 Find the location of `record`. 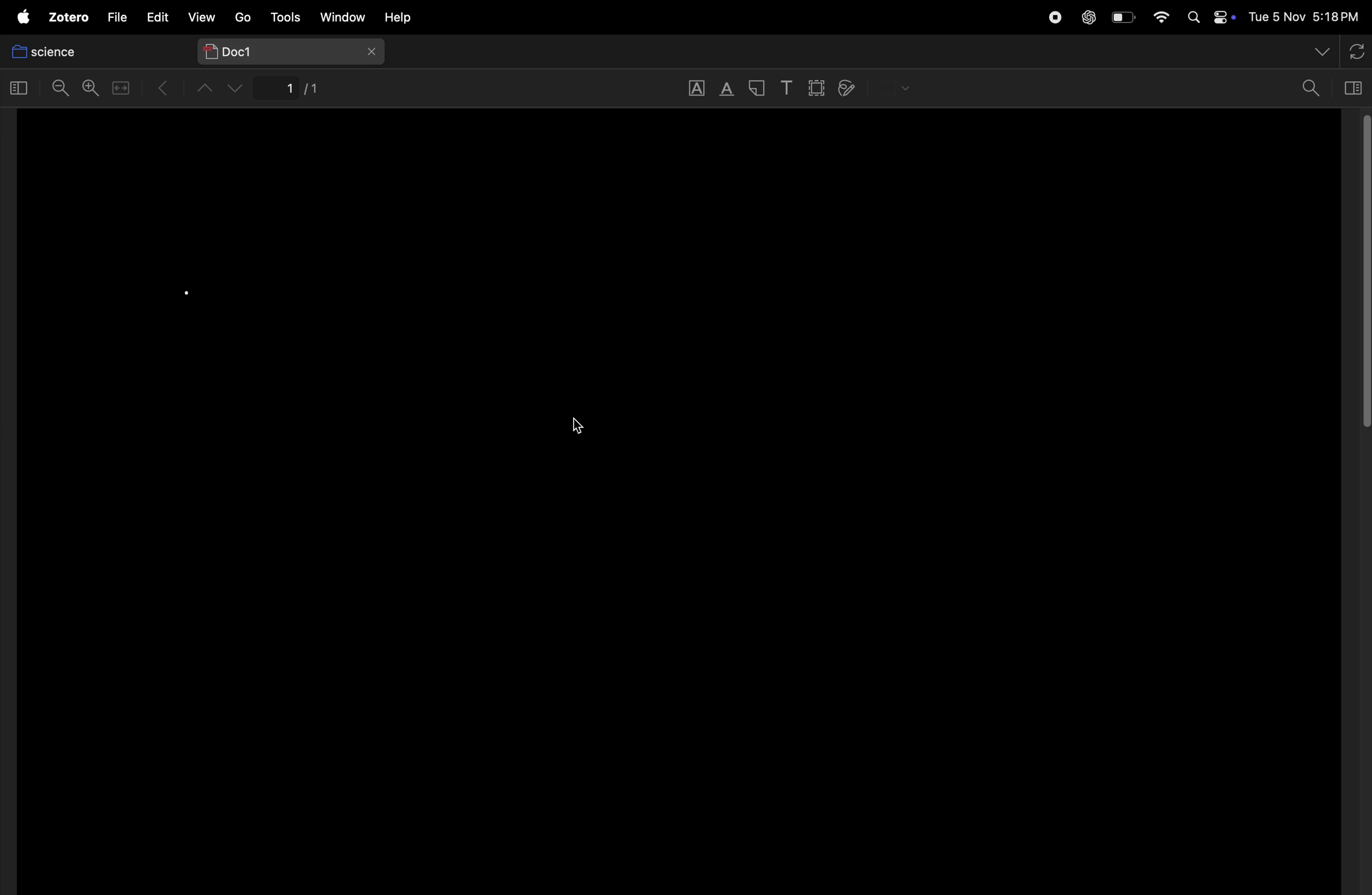

record is located at coordinates (1053, 16).